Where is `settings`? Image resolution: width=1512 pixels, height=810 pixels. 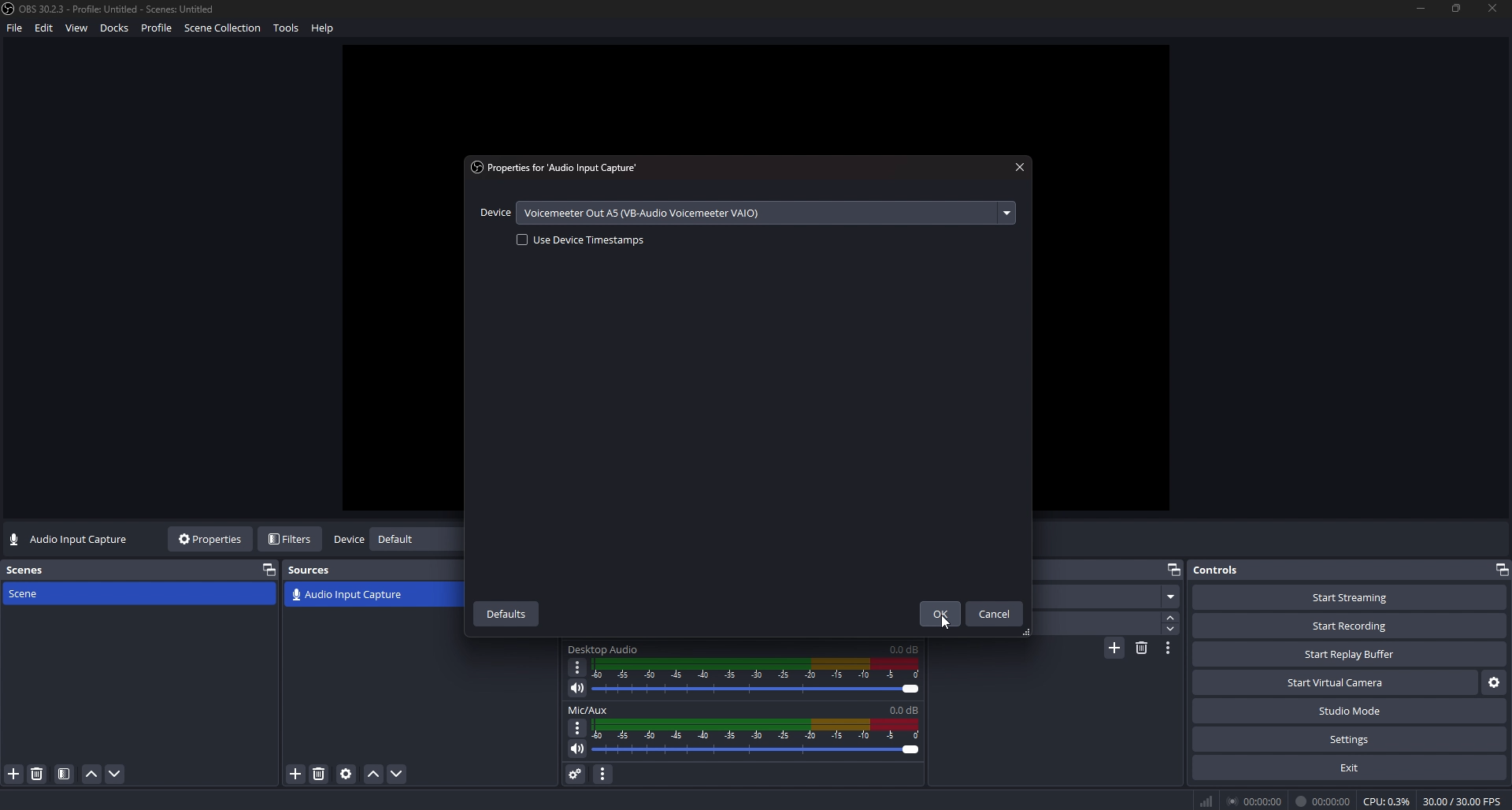
settings is located at coordinates (1349, 740).